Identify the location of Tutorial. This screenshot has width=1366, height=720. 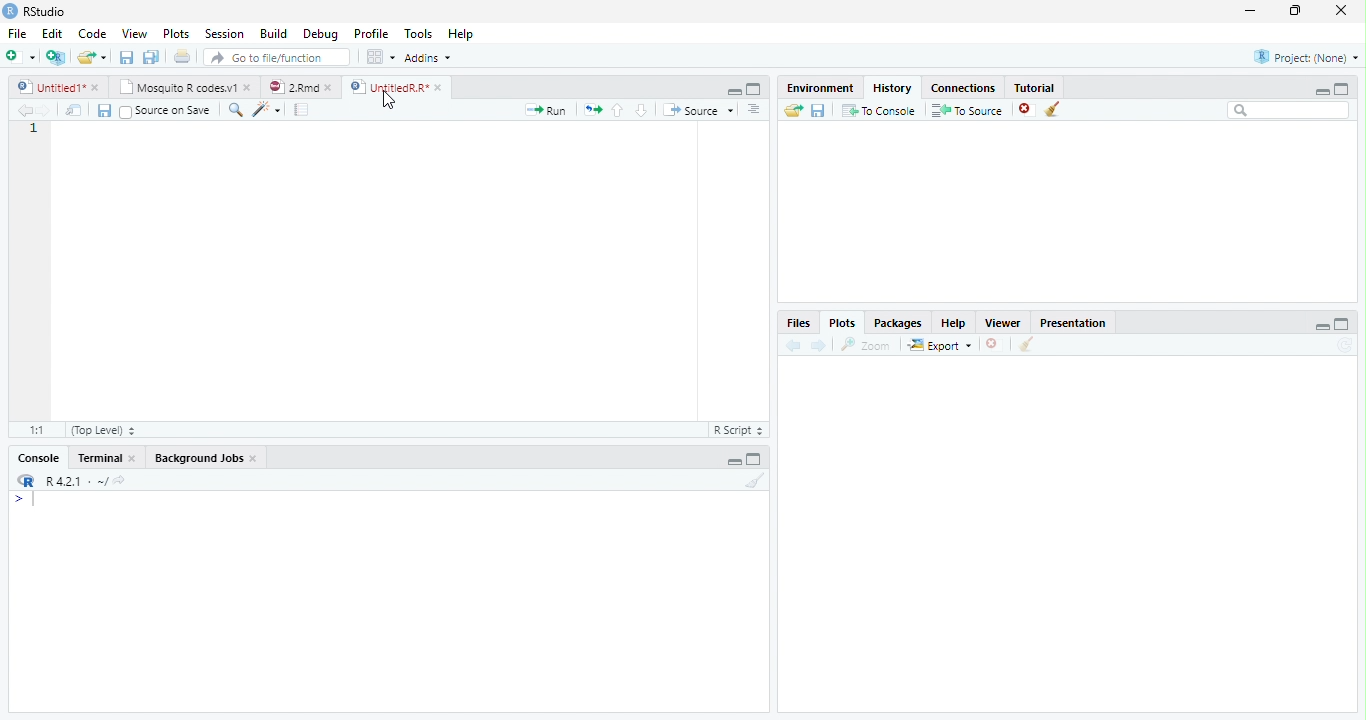
(1036, 86).